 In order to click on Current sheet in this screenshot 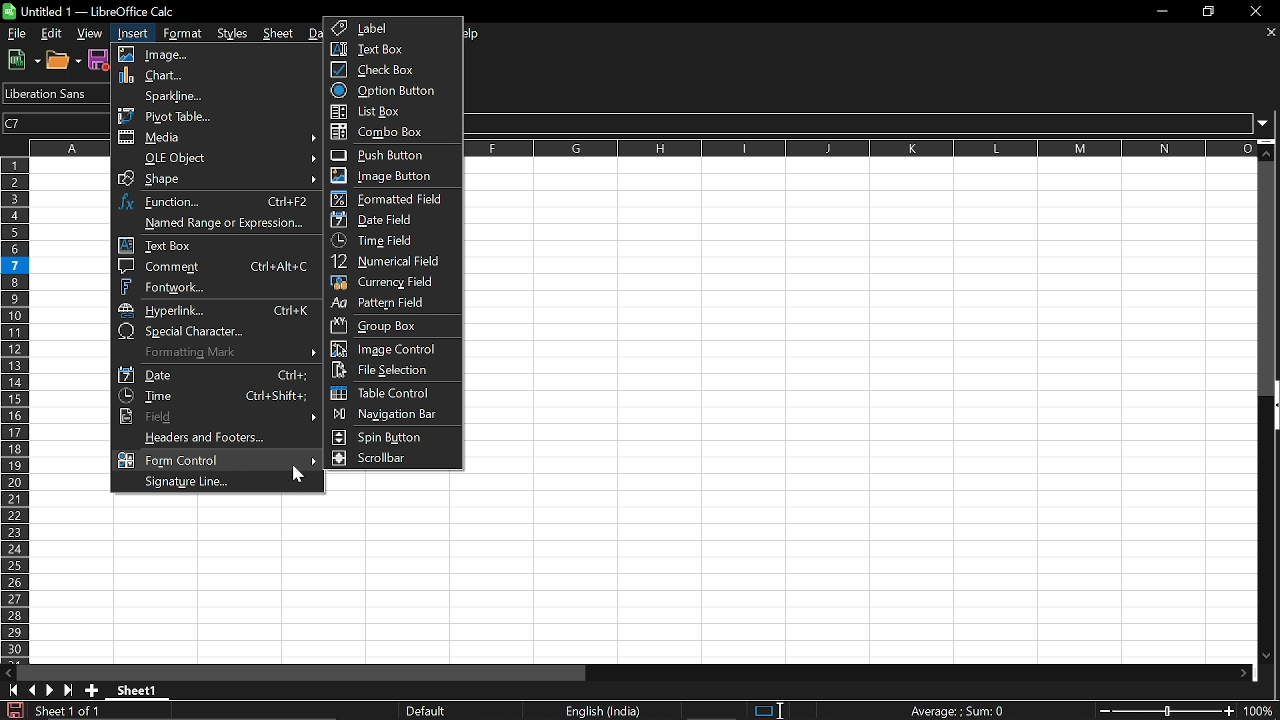, I will do `click(66, 710)`.